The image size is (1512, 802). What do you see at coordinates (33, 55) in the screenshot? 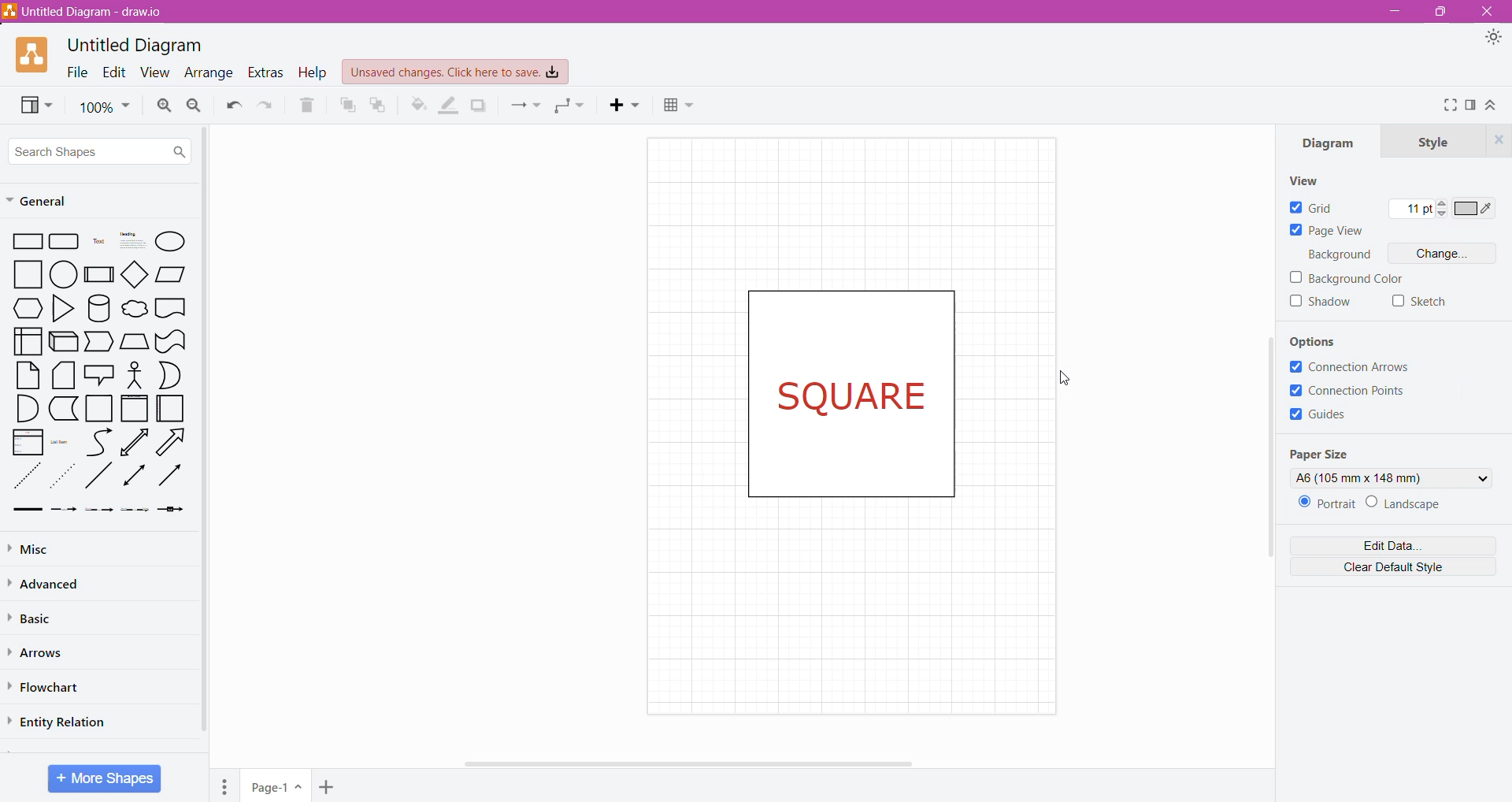
I see `Application Logo` at bounding box center [33, 55].